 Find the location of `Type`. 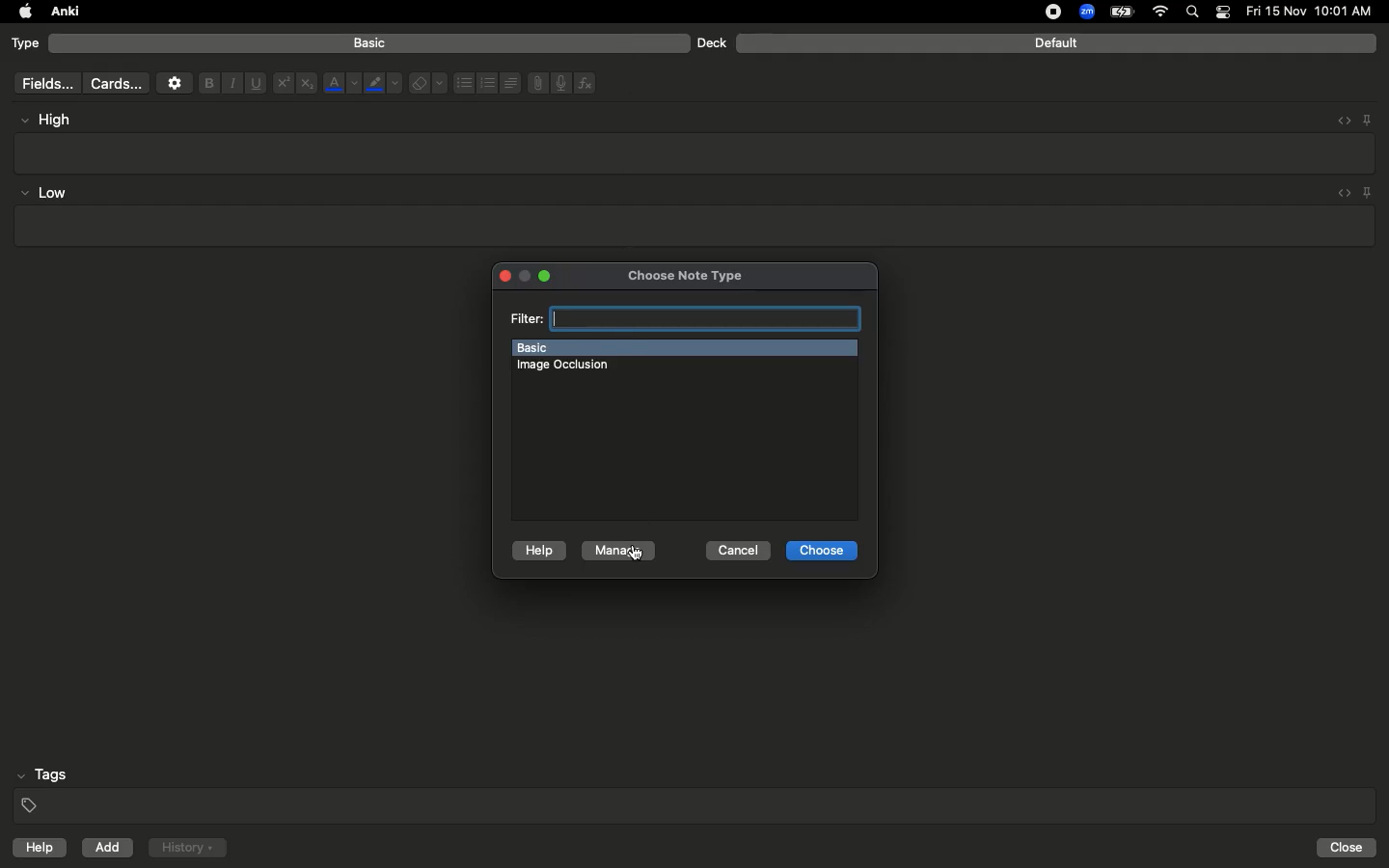

Type is located at coordinates (26, 44).